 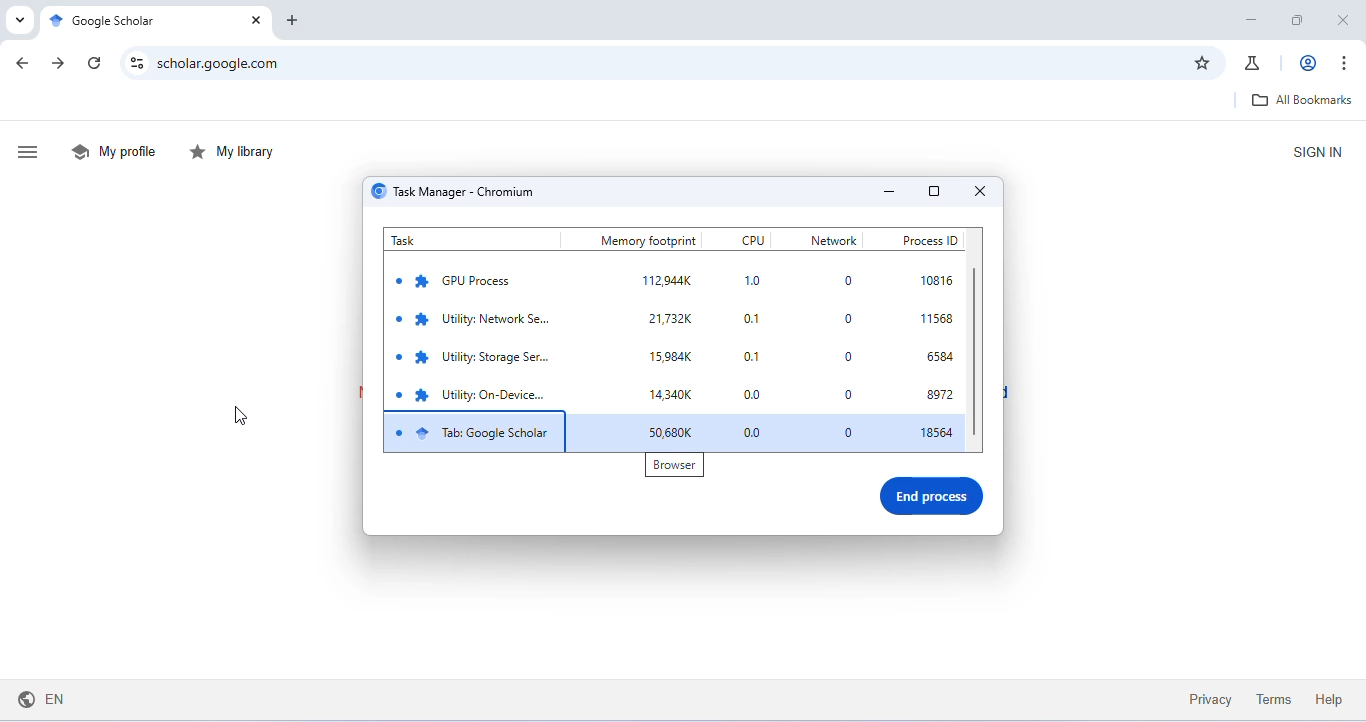 I want to click on CPU, so click(x=753, y=239).